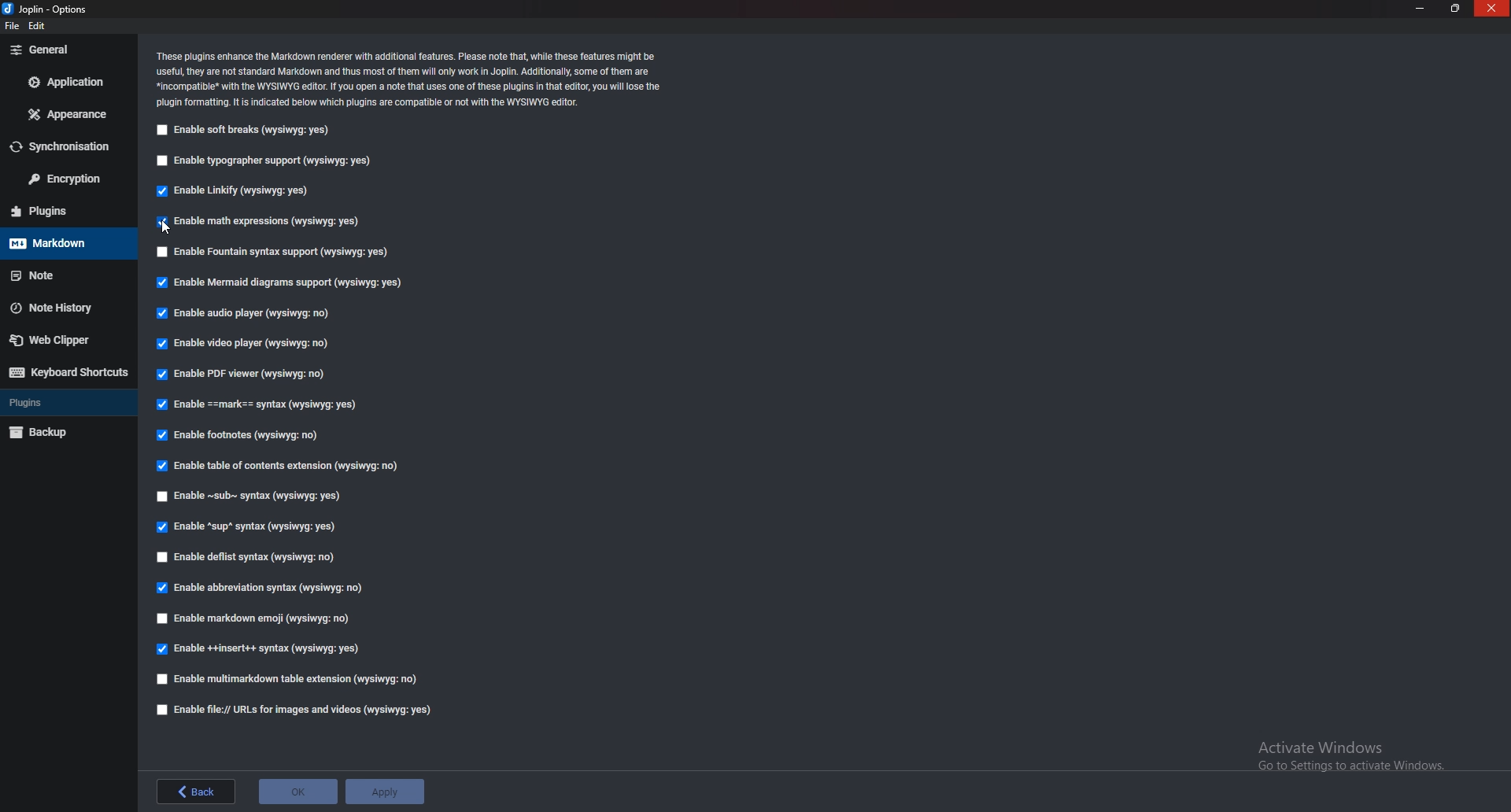  What do you see at coordinates (249, 130) in the screenshot?
I see `enable soft breaks` at bounding box center [249, 130].